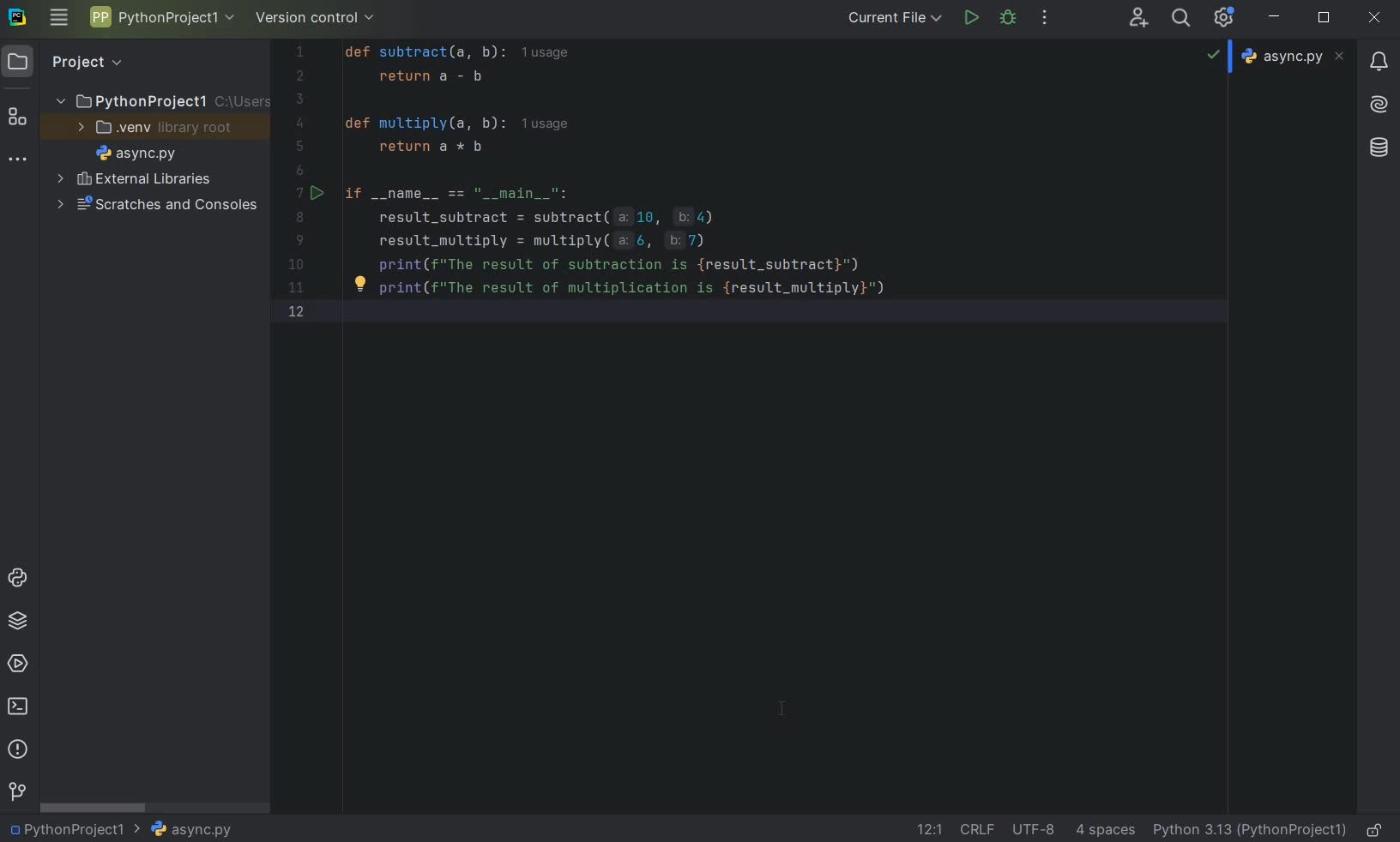 Image resolution: width=1400 pixels, height=842 pixels. Describe the element at coordinates (75, 829) in the screenshot. I see `PROJECT NAME` at that location.